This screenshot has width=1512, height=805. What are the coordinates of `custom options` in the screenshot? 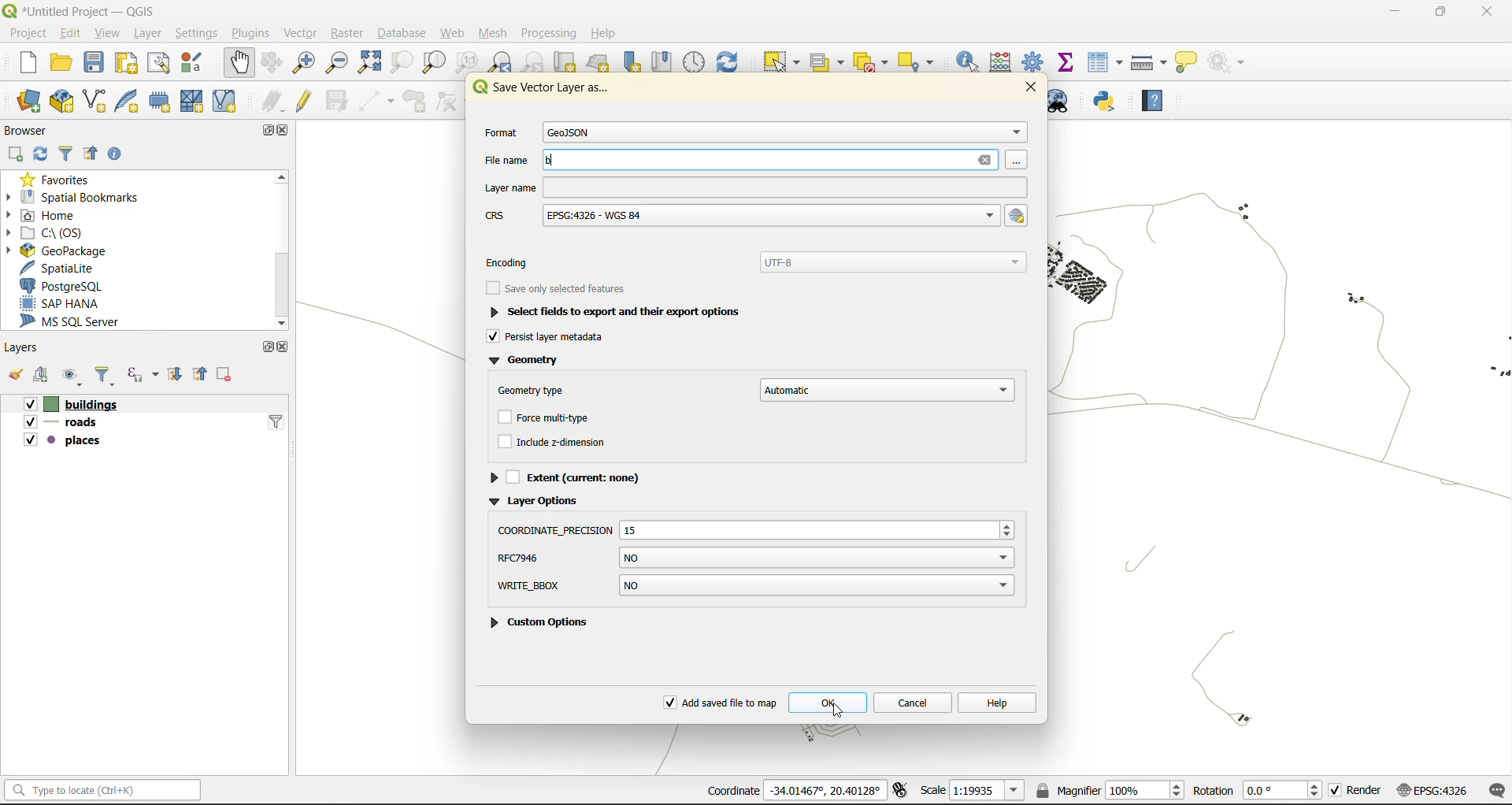 It's located at (749, 589).